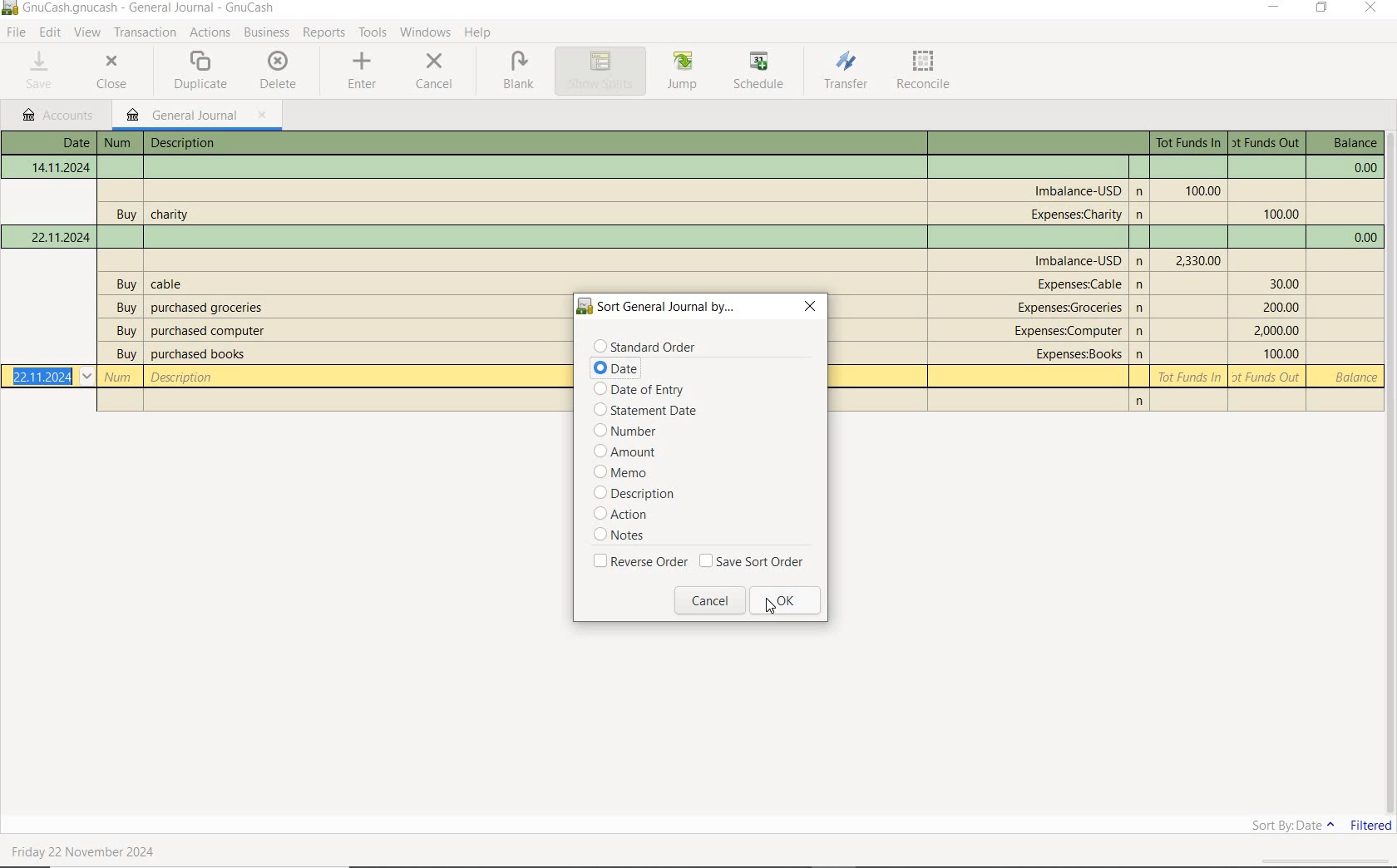 The image size is (1397, 868). Describe the element at coordinates (1265, 827) in the screenshot. I see `SORT BY: STANDARD ORDER` at that location.